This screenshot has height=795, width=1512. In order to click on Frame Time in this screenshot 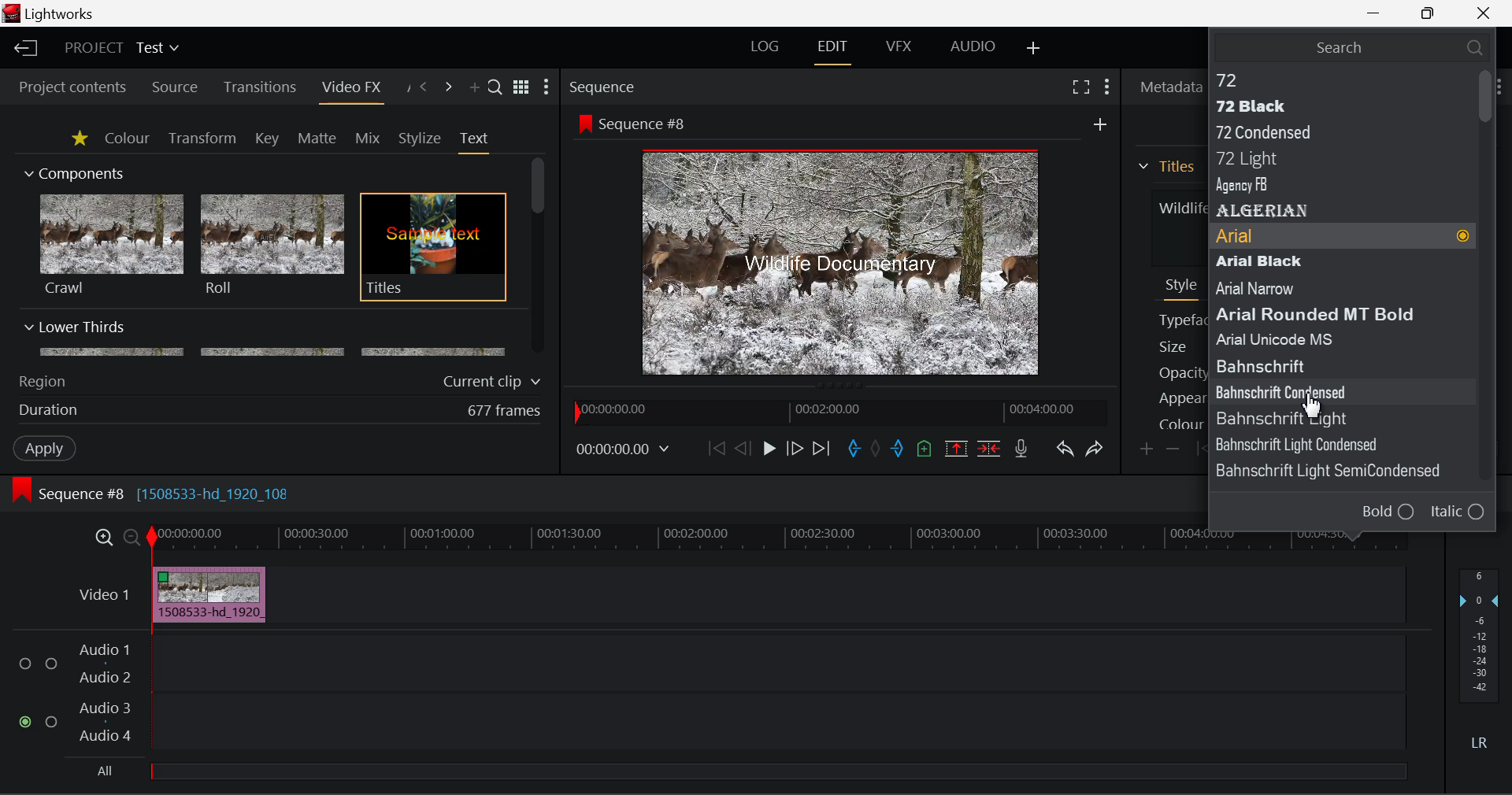, I will do `click(624, 451)`.